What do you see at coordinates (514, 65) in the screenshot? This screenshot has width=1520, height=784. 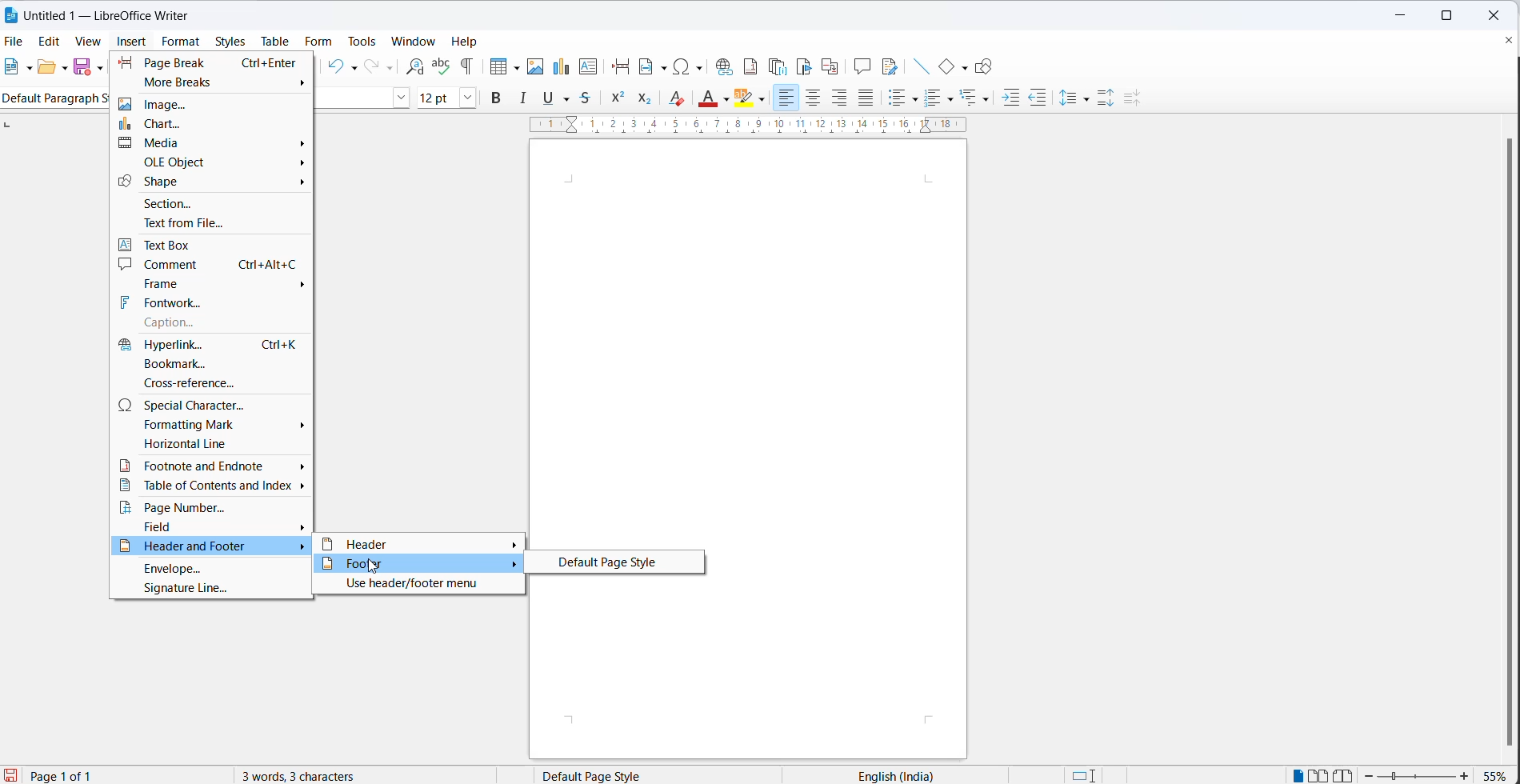 I see `table grid` at bounding box center [514, 65].